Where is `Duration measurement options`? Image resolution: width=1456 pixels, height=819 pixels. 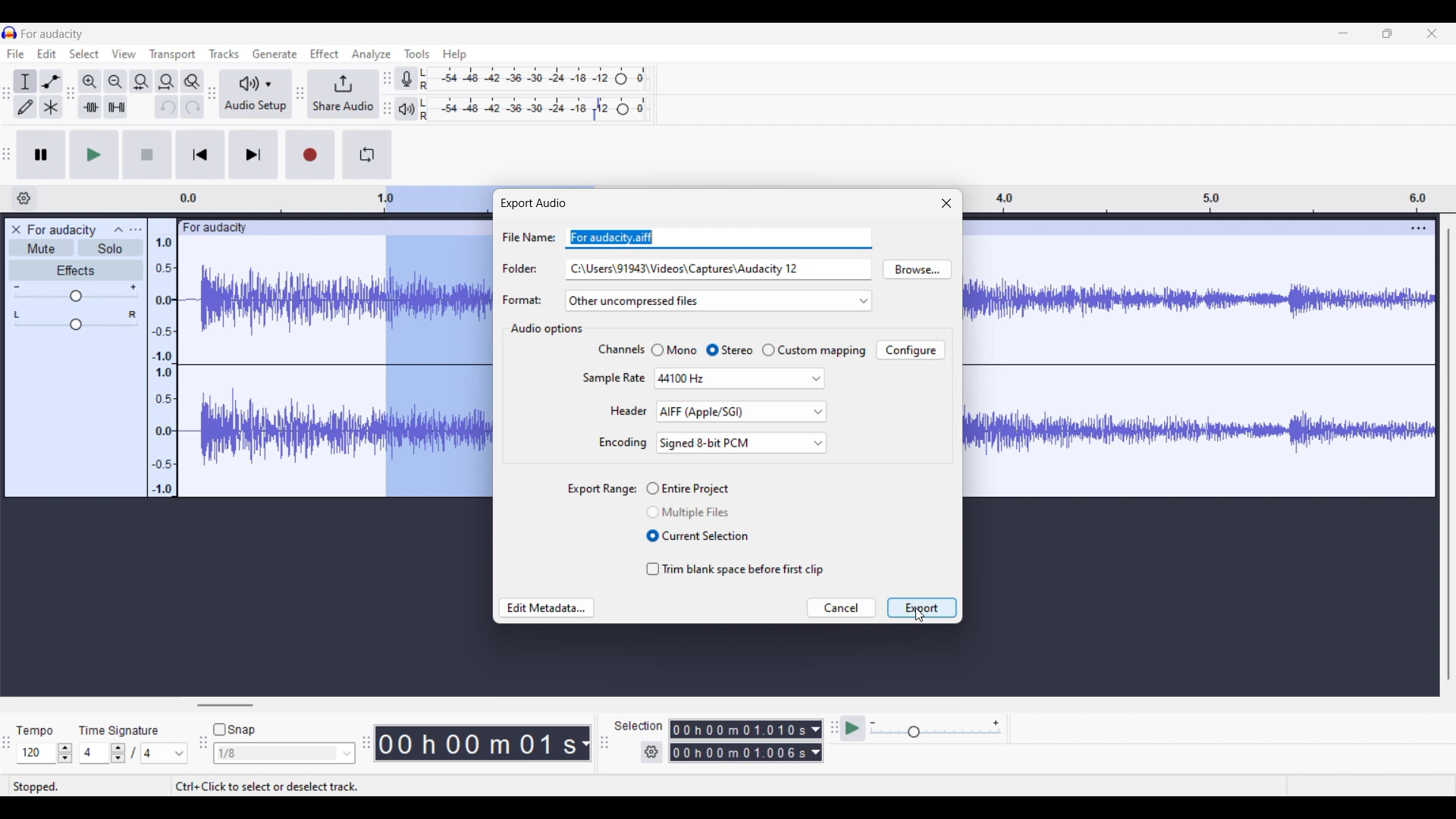 Duration measurement options is located at coordinates (585, 743).